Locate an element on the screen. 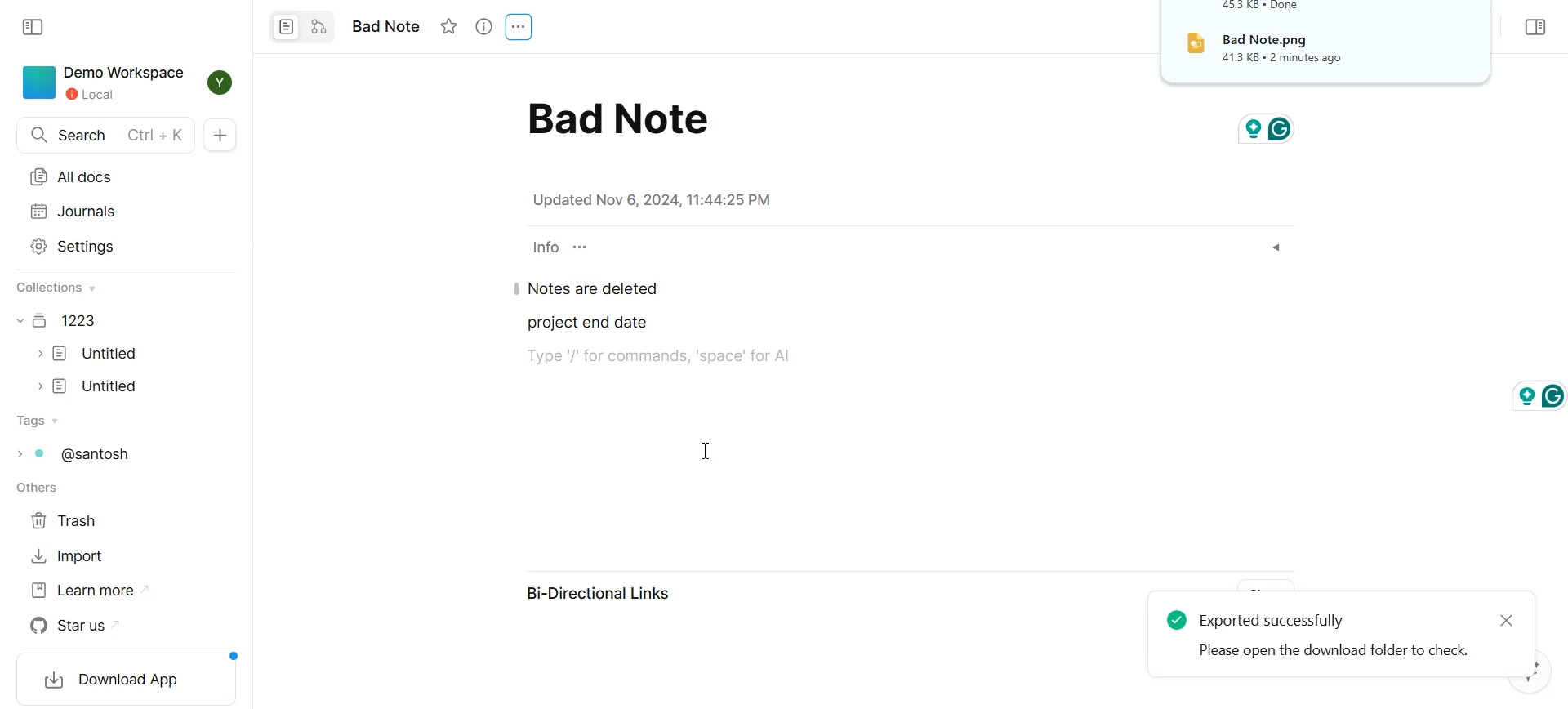  Demo Workspace is located at coordinates (100, 82).